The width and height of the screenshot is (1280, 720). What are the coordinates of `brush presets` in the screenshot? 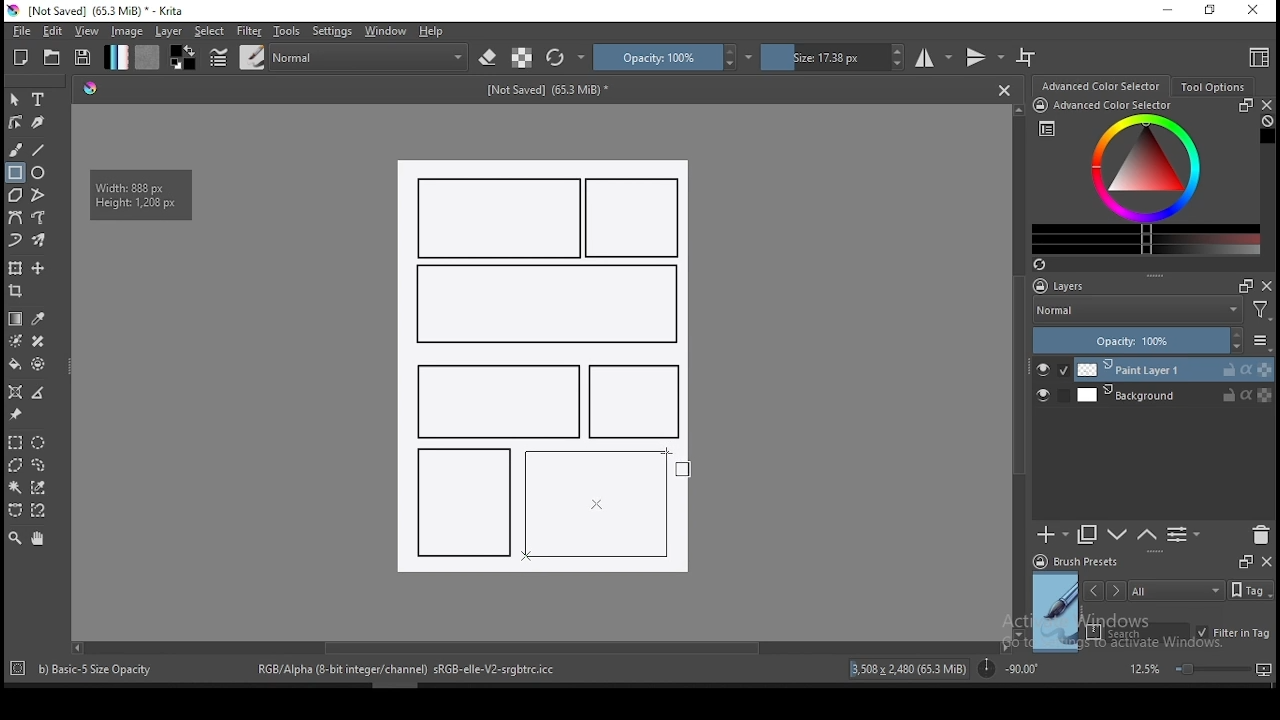 It's located at (1082, 562).